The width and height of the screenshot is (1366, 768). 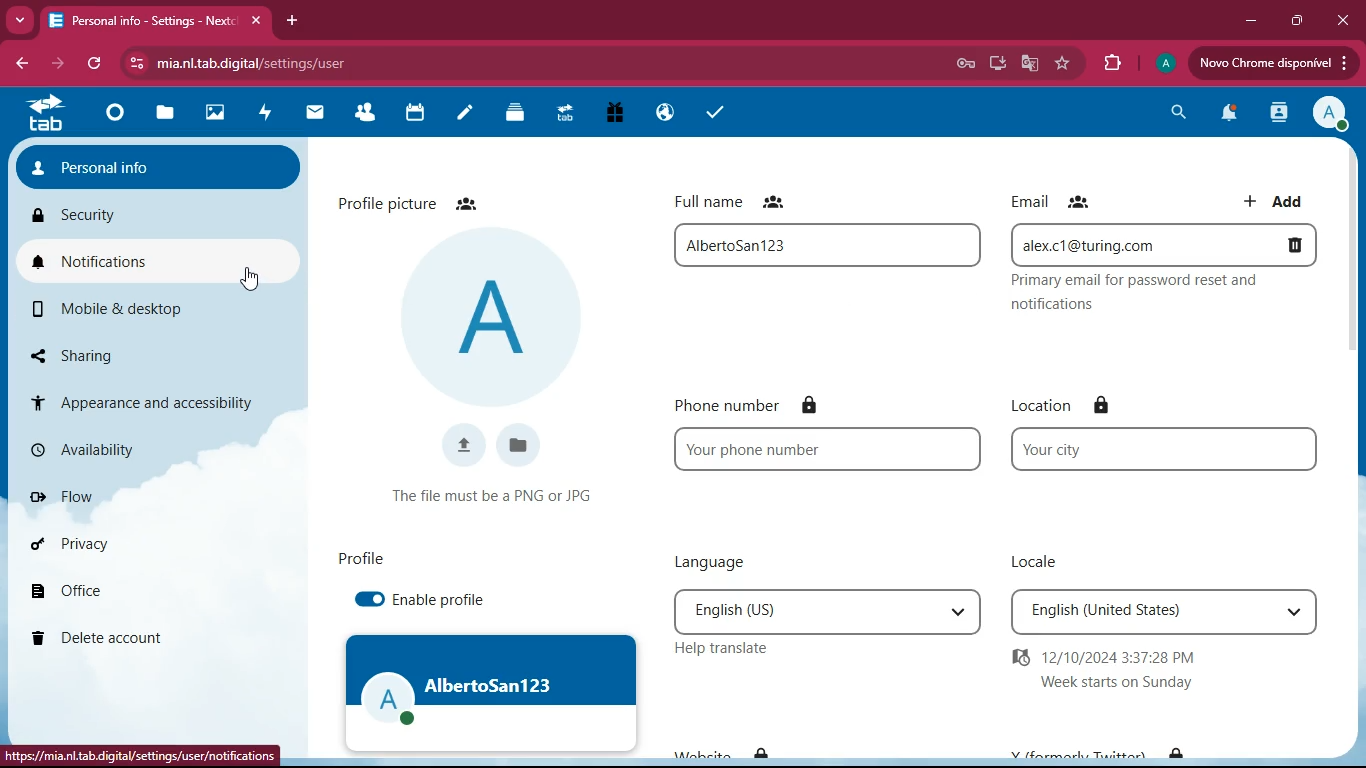 What do you see at coordinates (296, 21) in the screenshot?
I see `add tab` at bounding box center [296, 21].